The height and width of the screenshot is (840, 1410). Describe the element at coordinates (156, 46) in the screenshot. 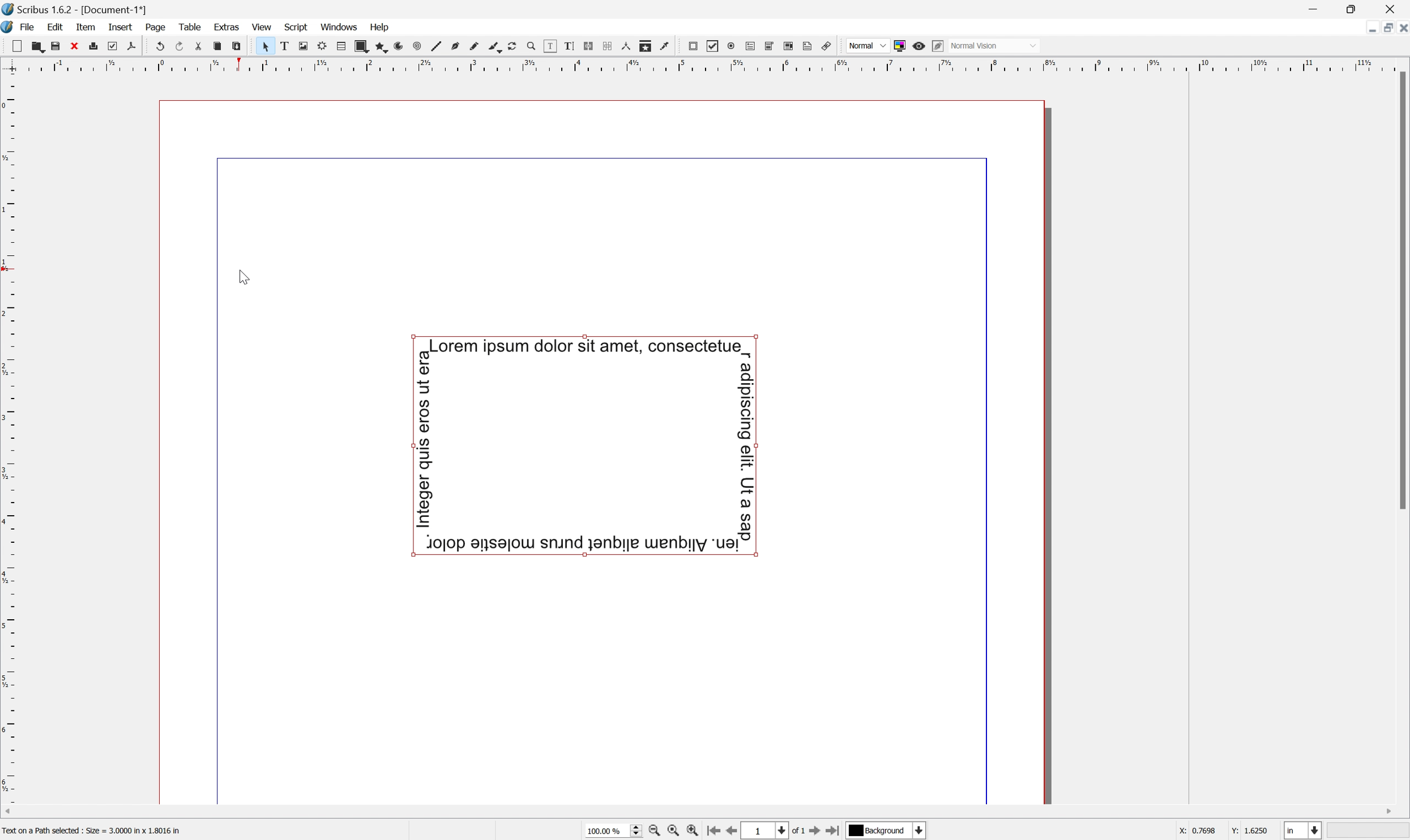

I see `Undo` at that location.